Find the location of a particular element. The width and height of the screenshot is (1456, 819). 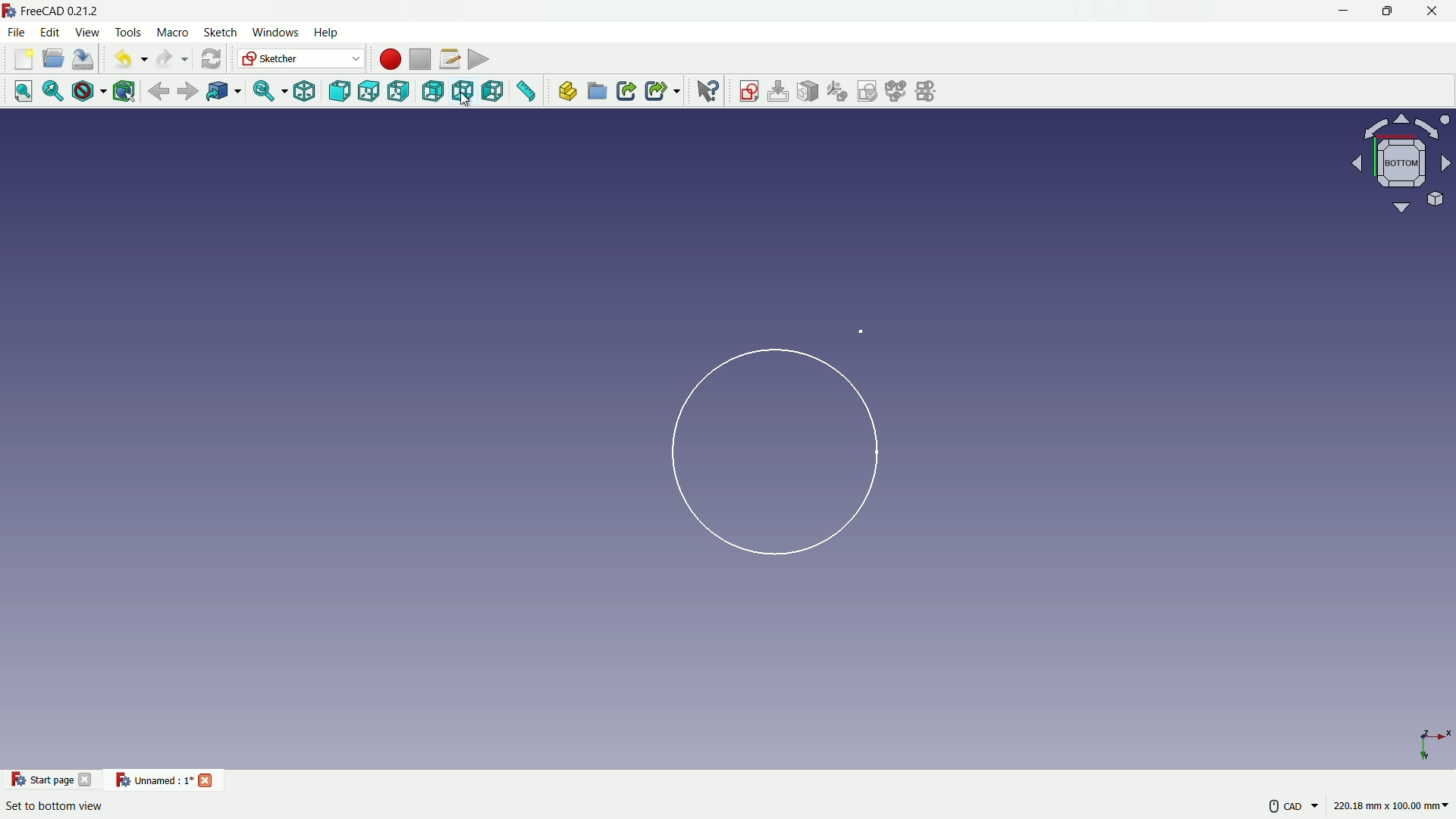

merge sketches is located at coordinates (898, 92).